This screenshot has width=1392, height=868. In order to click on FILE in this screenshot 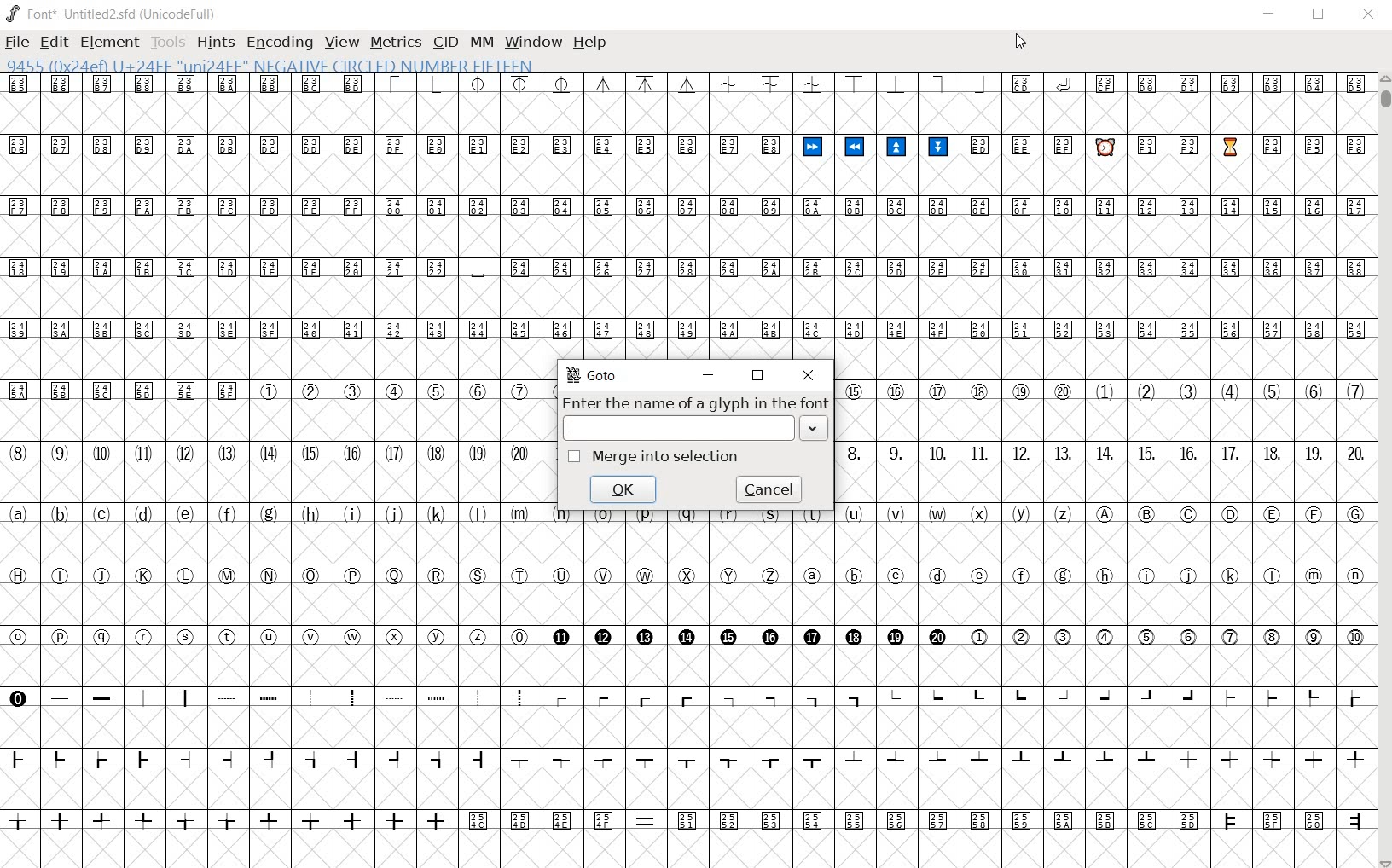, I will do `click(17, 42)`.